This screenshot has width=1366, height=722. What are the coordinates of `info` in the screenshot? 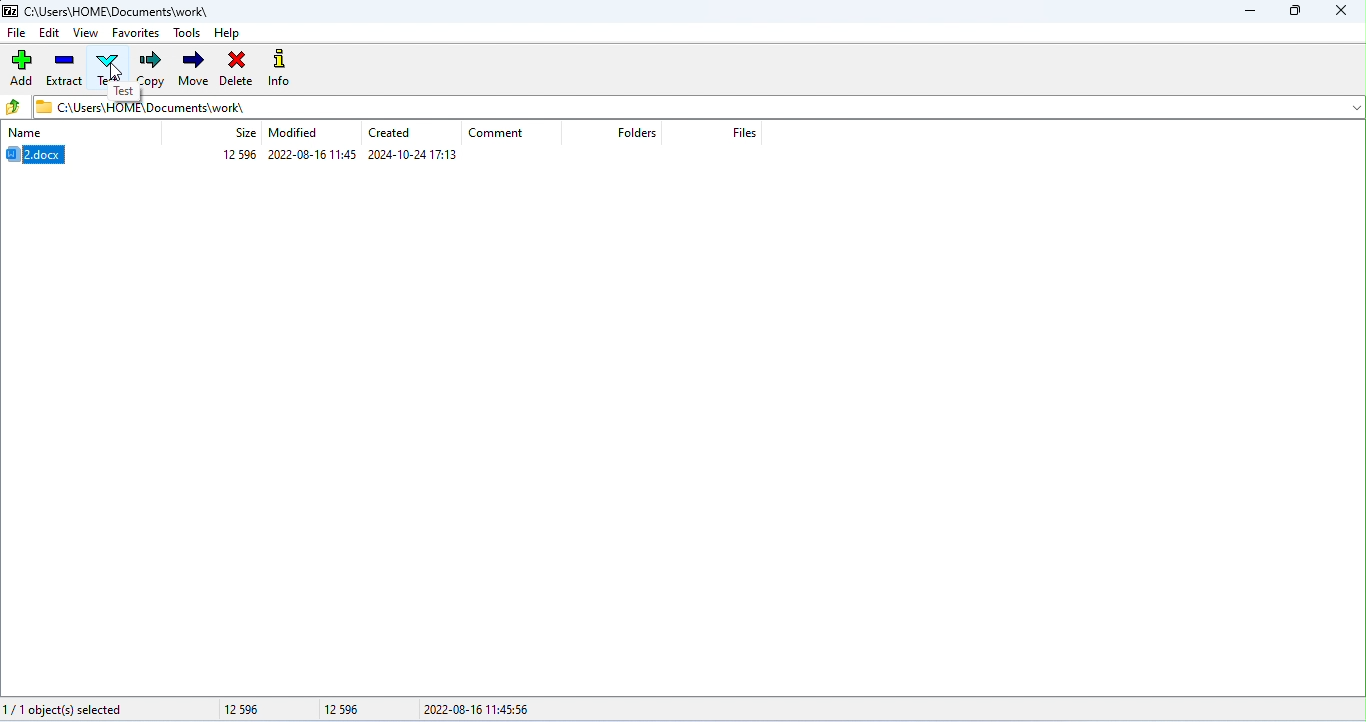 It's located at (281, 68).